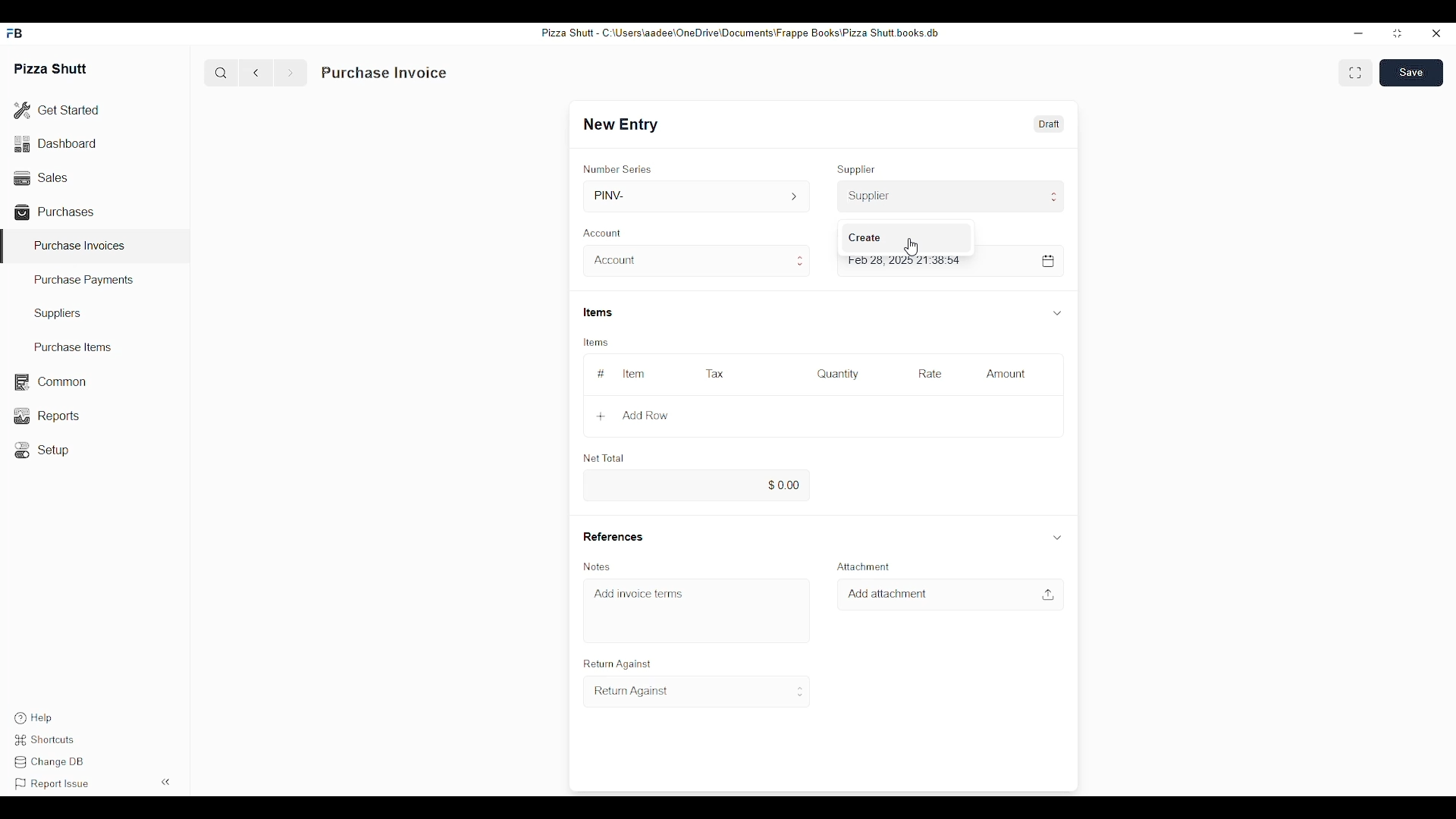 This screenshot has width=1456, height=819. Describe the element at coordinates (1395, 34) in the screenshot. I see `resize` at that location.